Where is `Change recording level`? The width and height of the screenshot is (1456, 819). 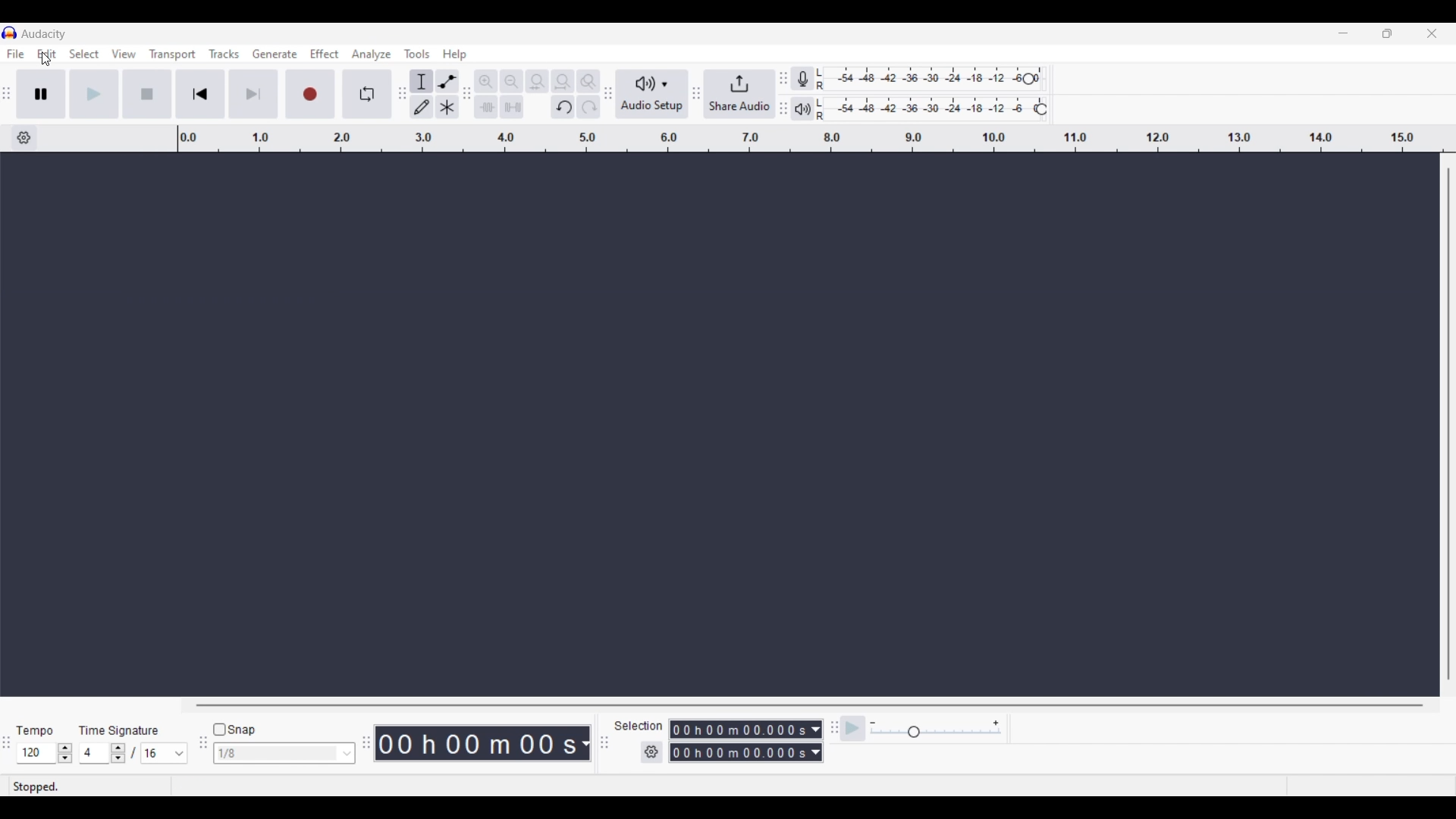 Change recording level is located at coordinates (1028, 78).